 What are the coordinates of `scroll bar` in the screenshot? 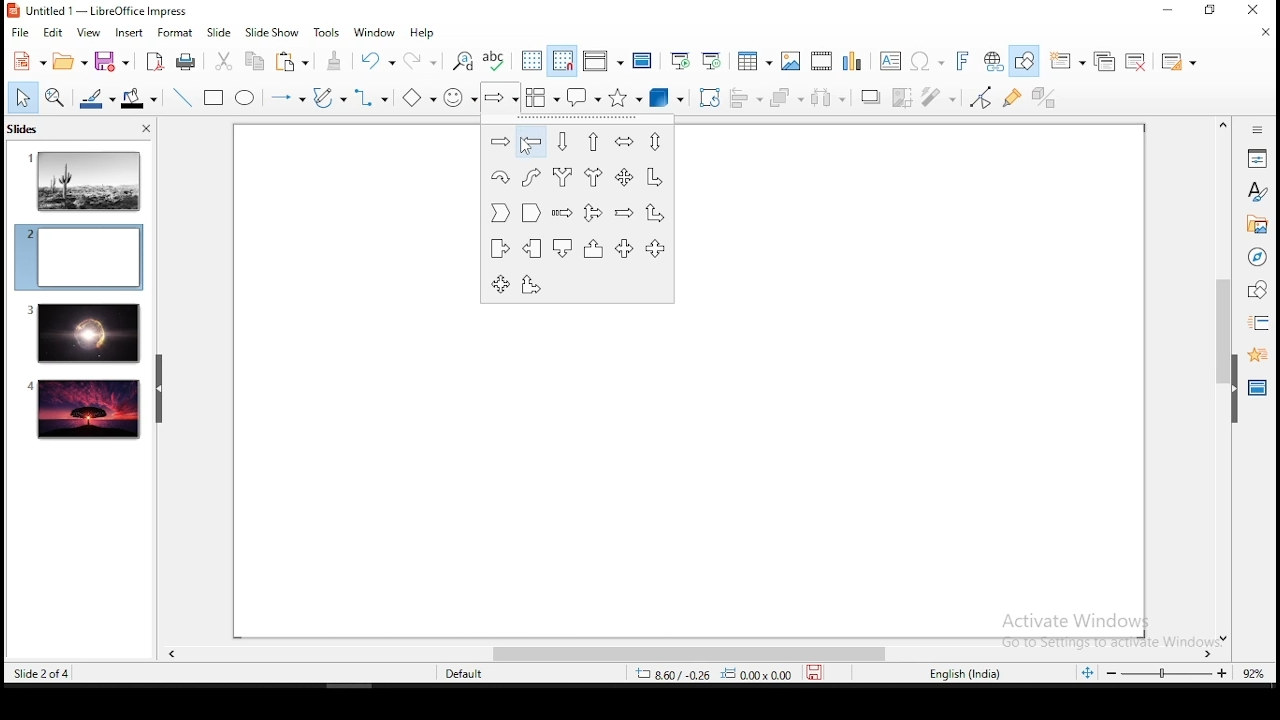 It's located at (681, 654).